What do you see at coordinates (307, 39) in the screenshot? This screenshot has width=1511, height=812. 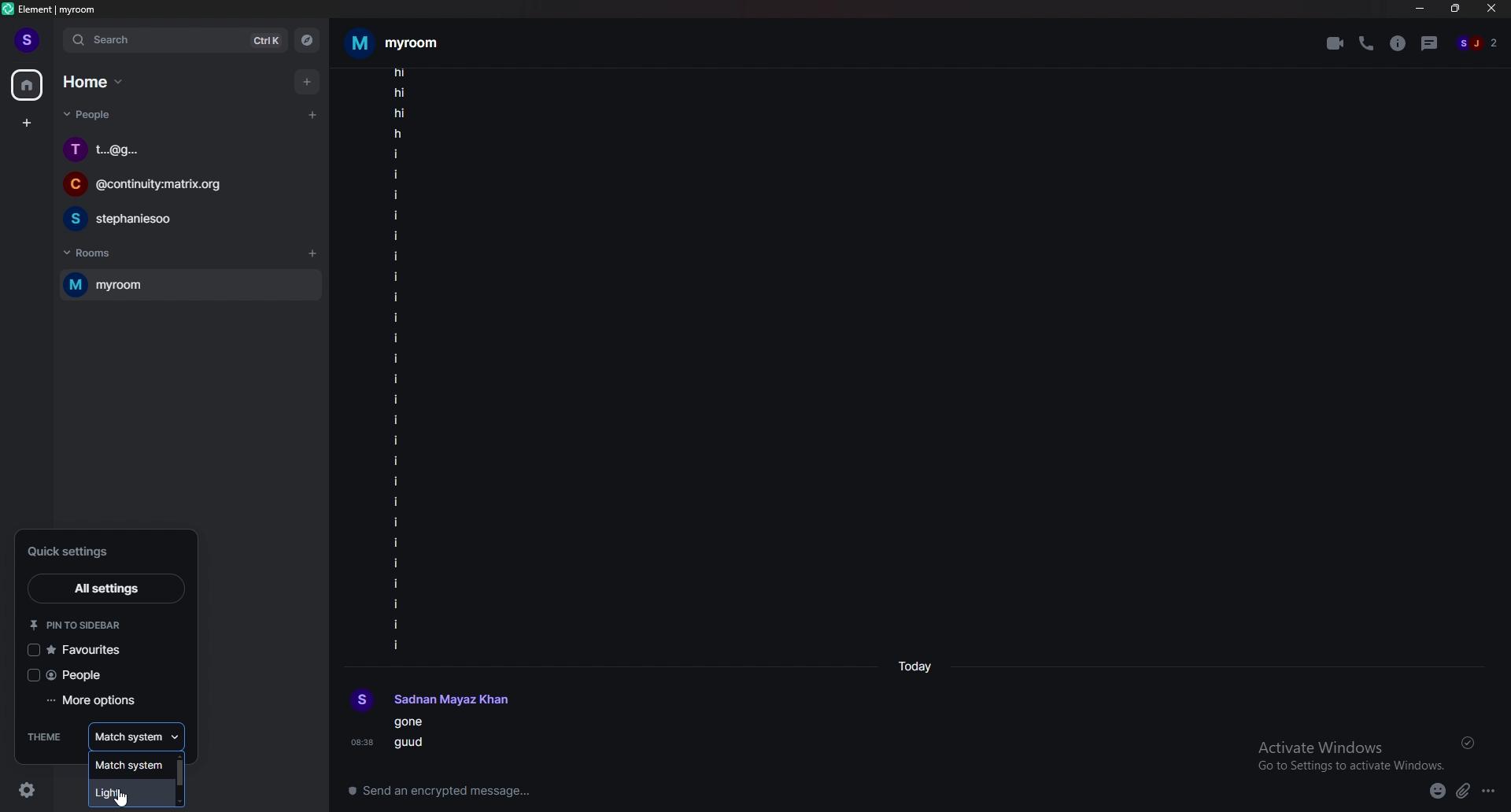 I see `explore` at bounding box center [307, 39].